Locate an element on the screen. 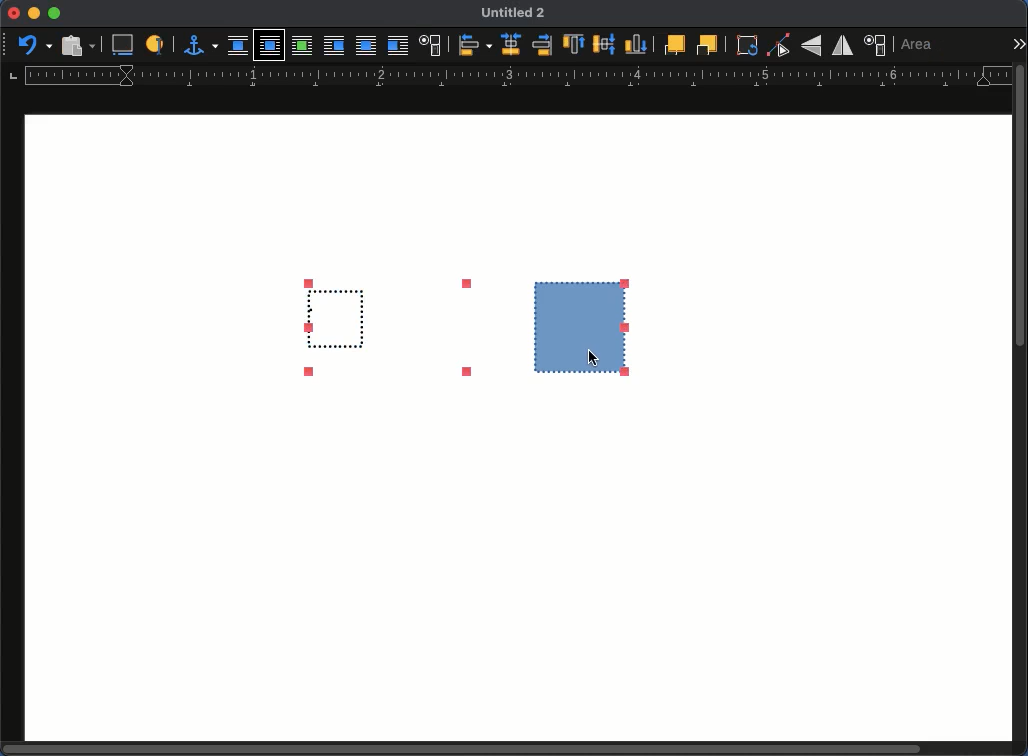 The height and width of the screenshot is (756, 1028). maximize is located at coordinates (55, 13).